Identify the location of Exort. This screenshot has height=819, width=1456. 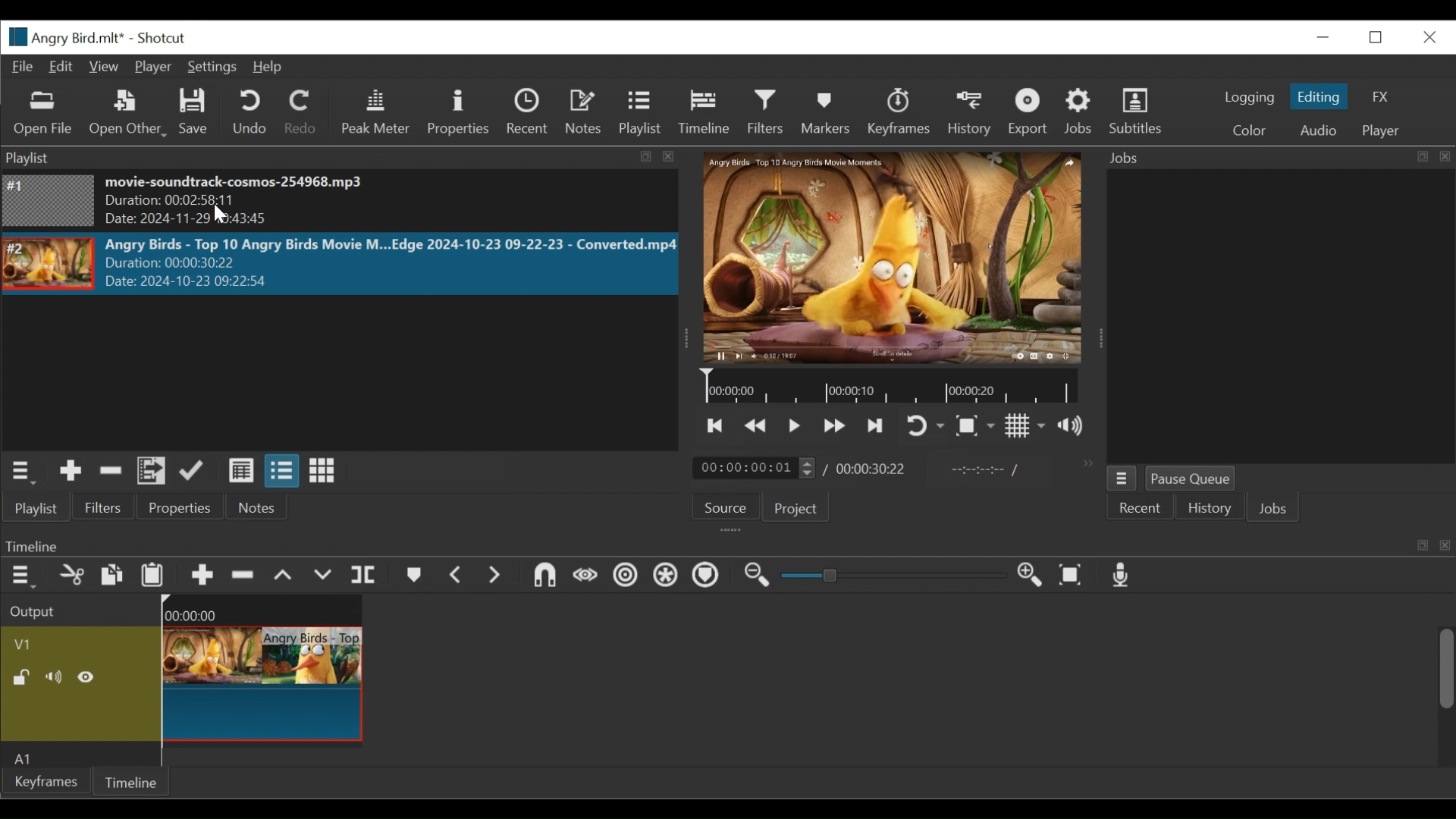
(1030, 113).